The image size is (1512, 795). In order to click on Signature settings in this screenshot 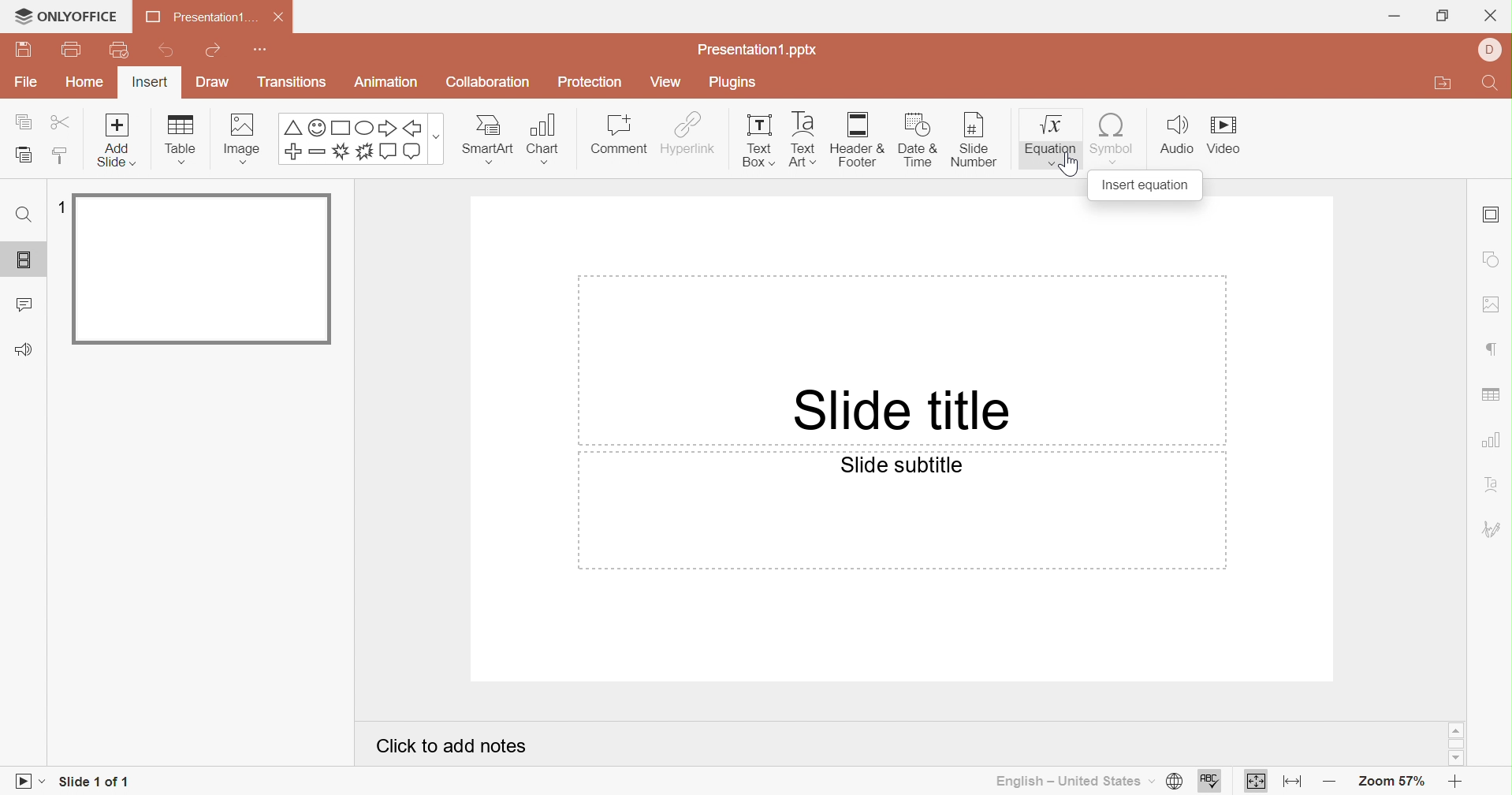, I will do `click(1490, 528)`.